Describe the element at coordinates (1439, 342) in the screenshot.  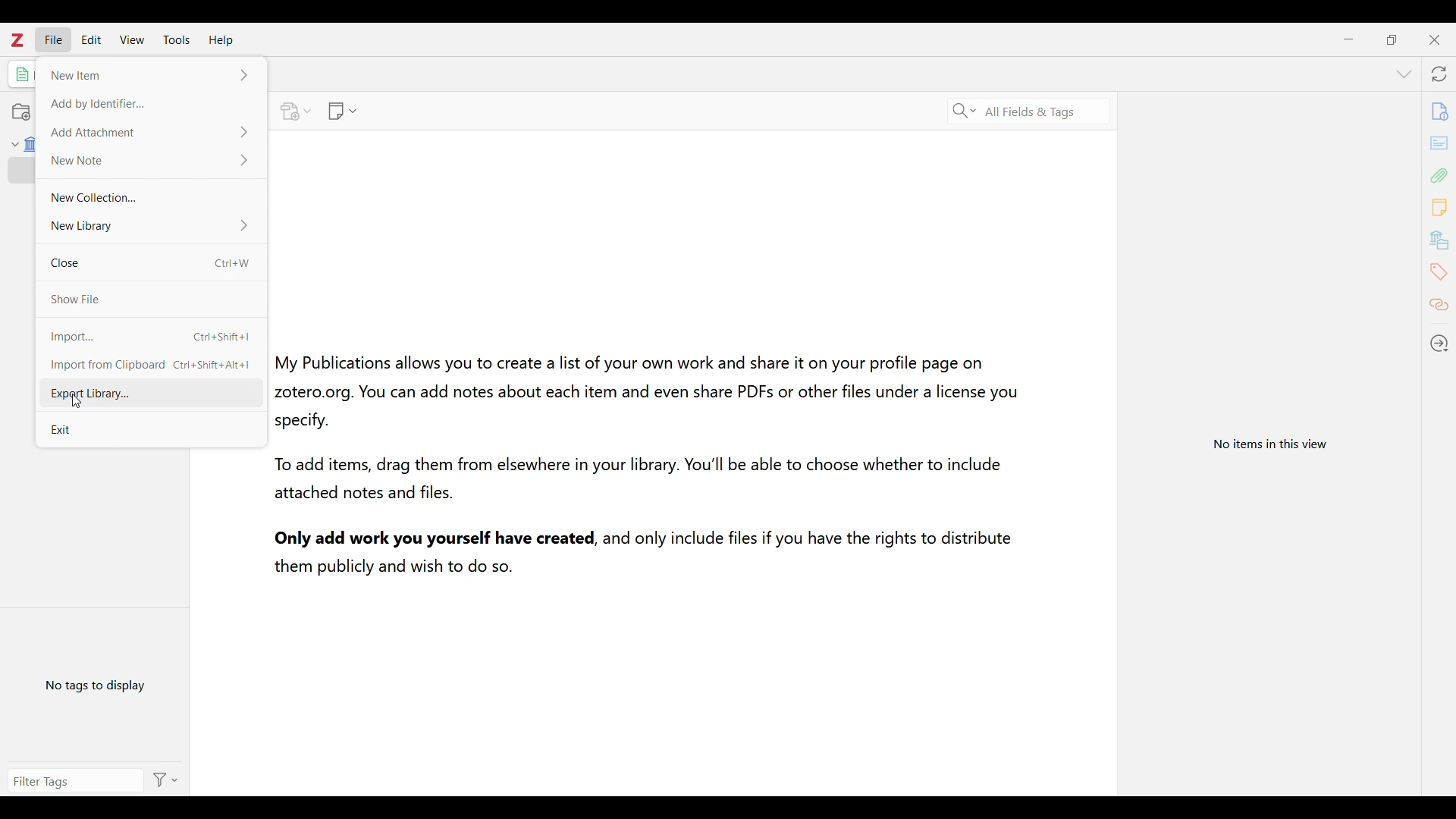
I see `Locate` at that location.